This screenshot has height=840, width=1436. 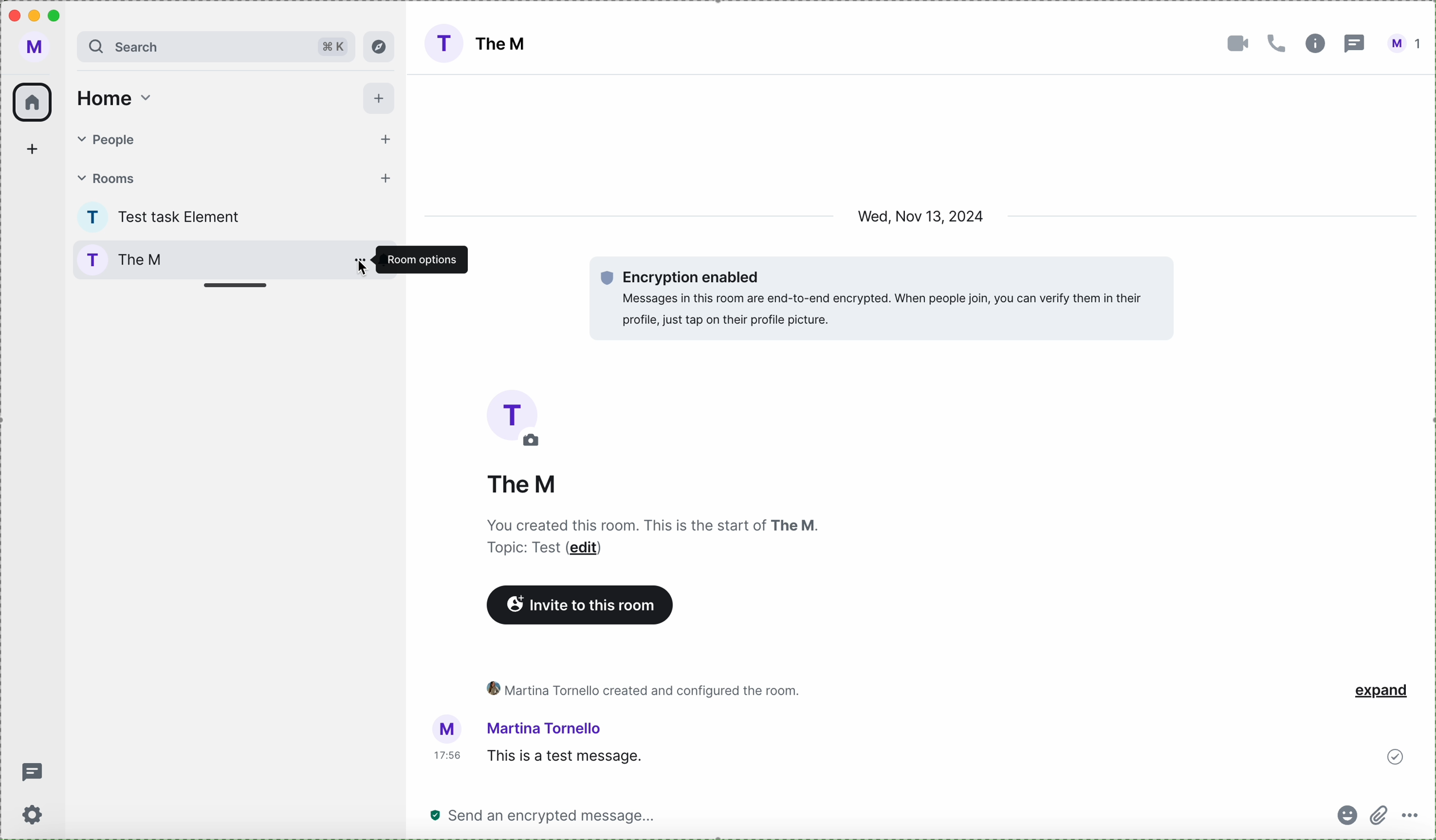 What do you see at coordinates (378, 47) in the screenshot?
I see `explore` at bounding box center [378, 47].